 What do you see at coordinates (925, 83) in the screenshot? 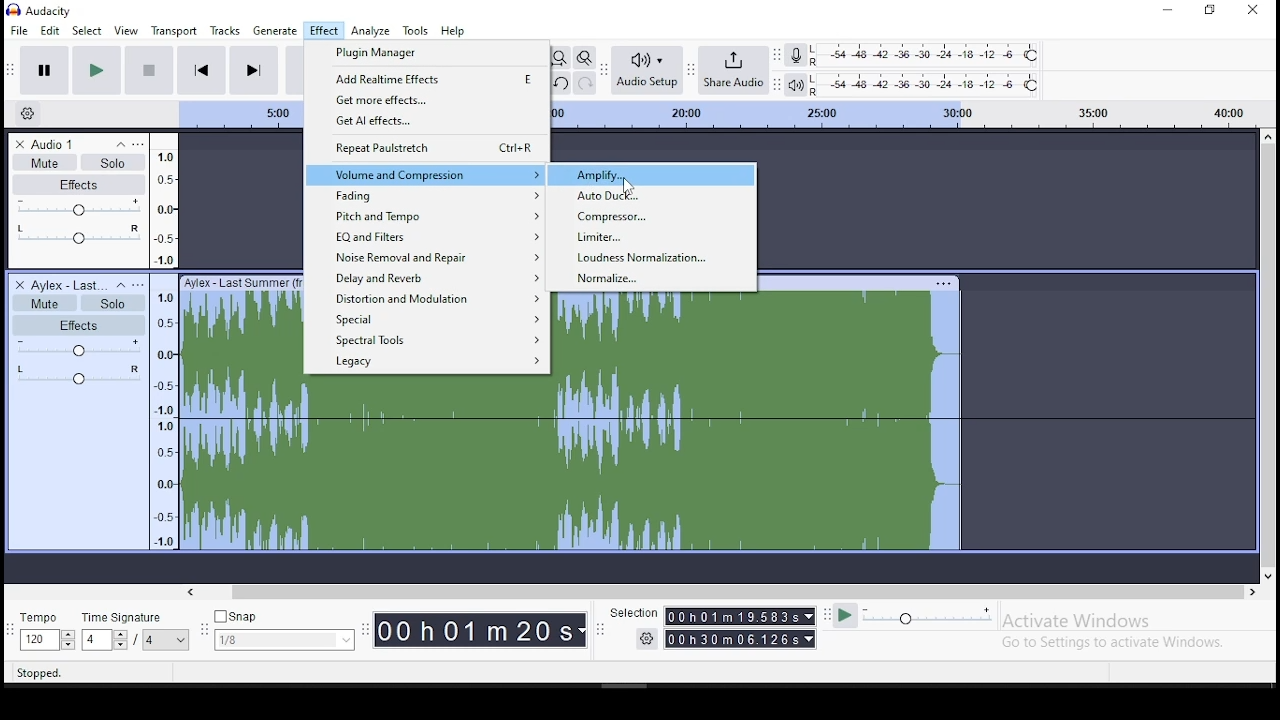
I see `playback level` at bounding box center [925, 83].